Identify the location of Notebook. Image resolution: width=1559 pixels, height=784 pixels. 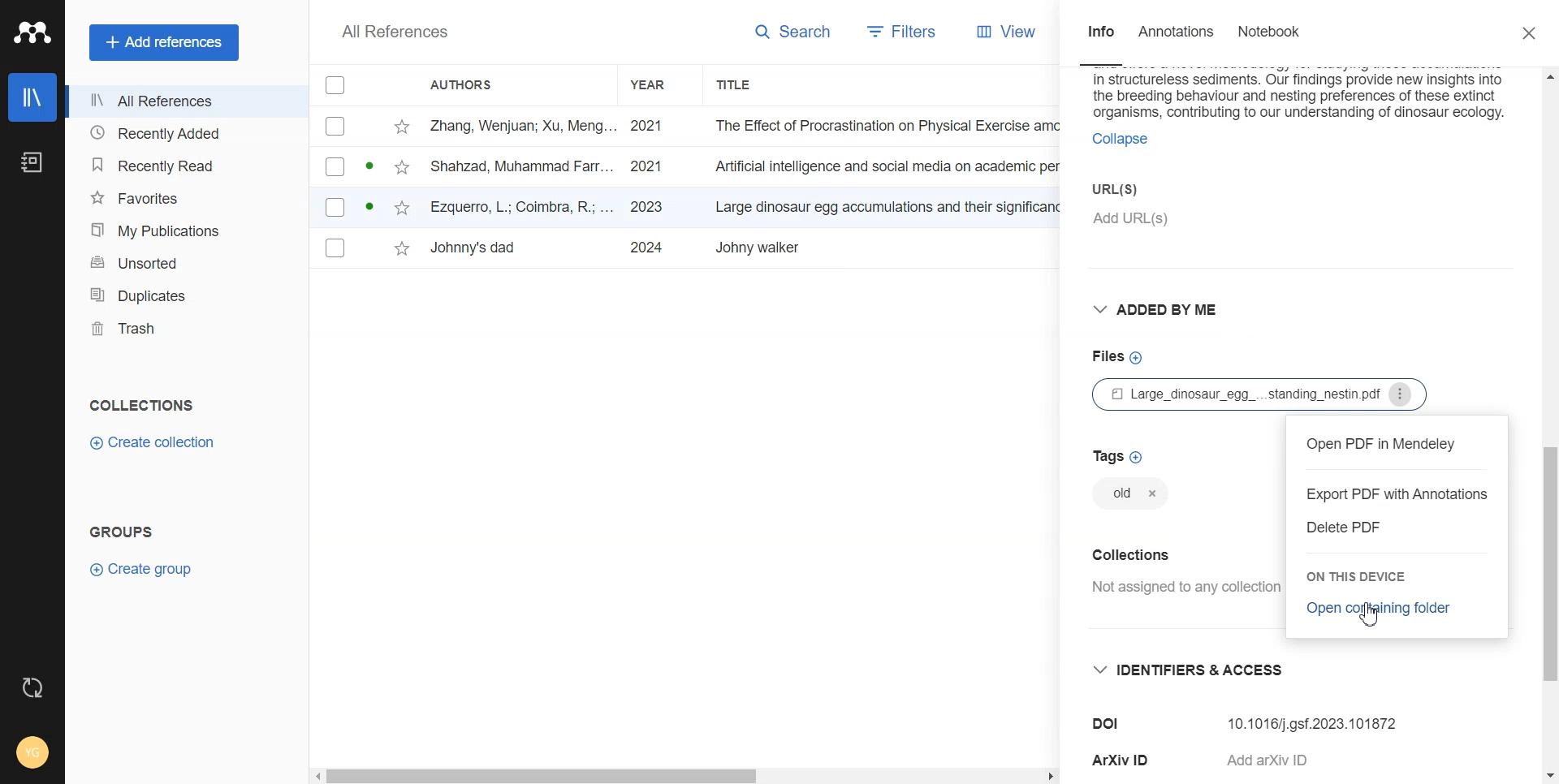
(32, 163).